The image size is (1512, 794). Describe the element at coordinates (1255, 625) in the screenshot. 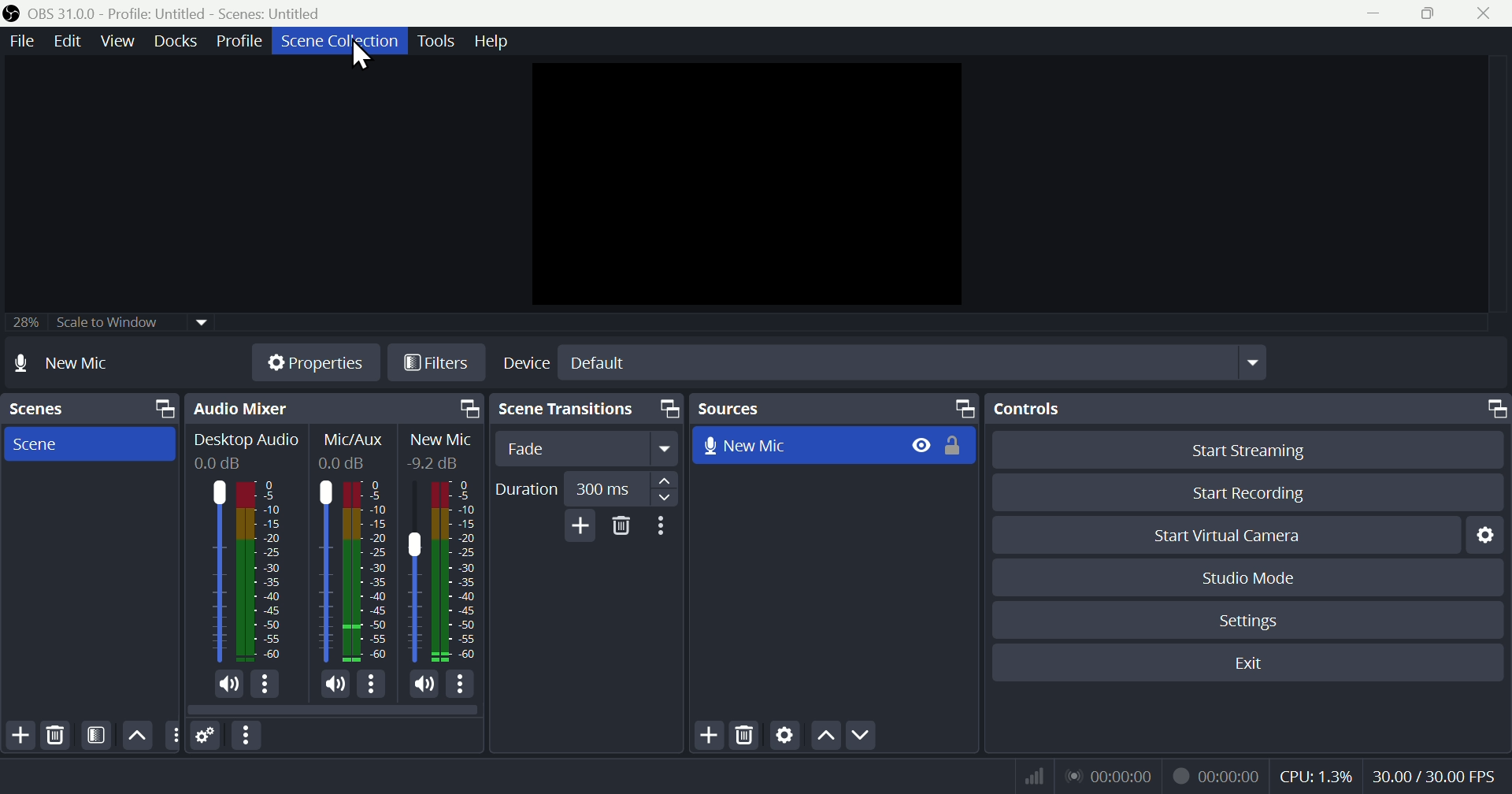

I see `Settings` at that location.